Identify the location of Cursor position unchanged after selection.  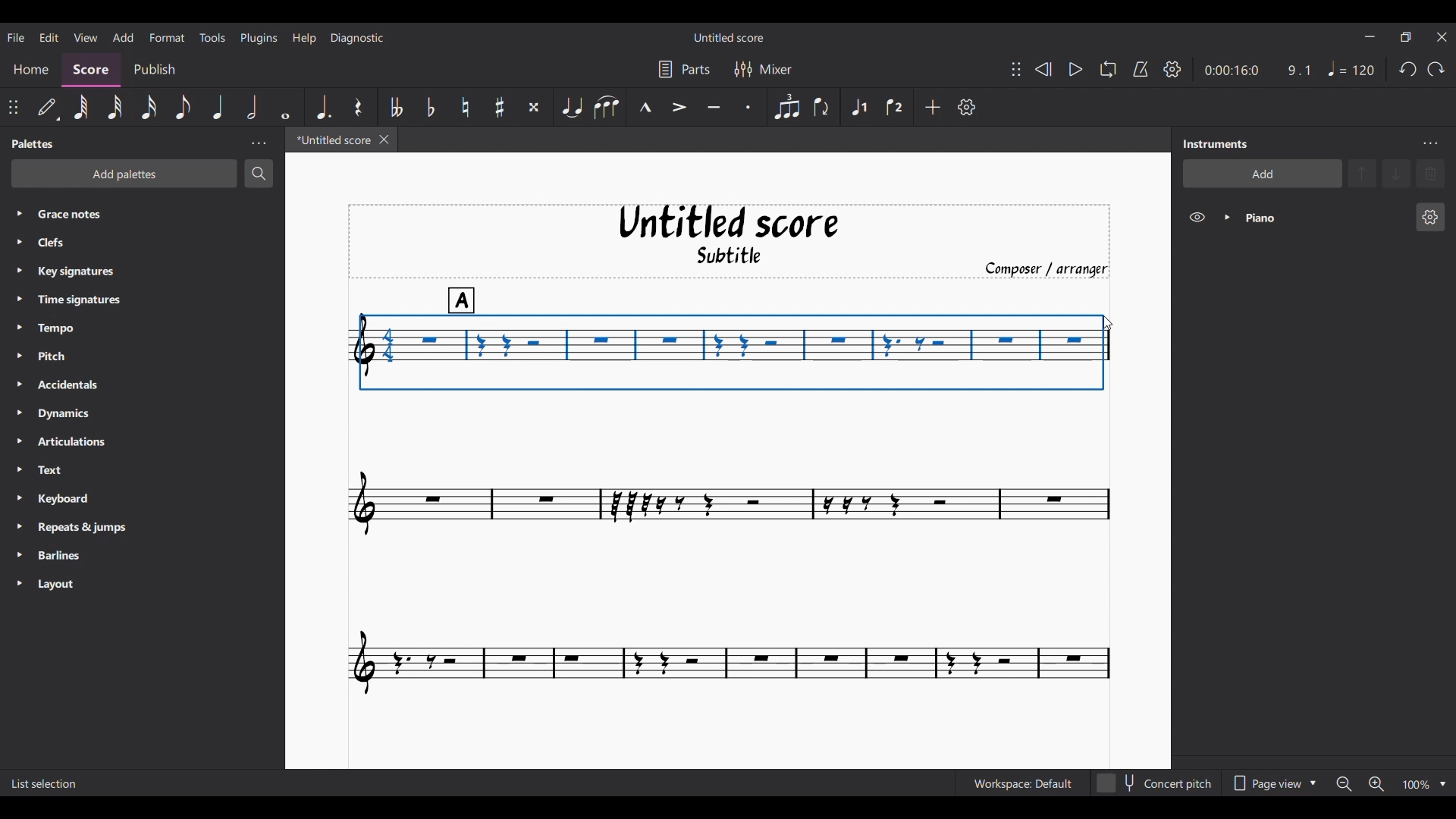
(1107, 322).